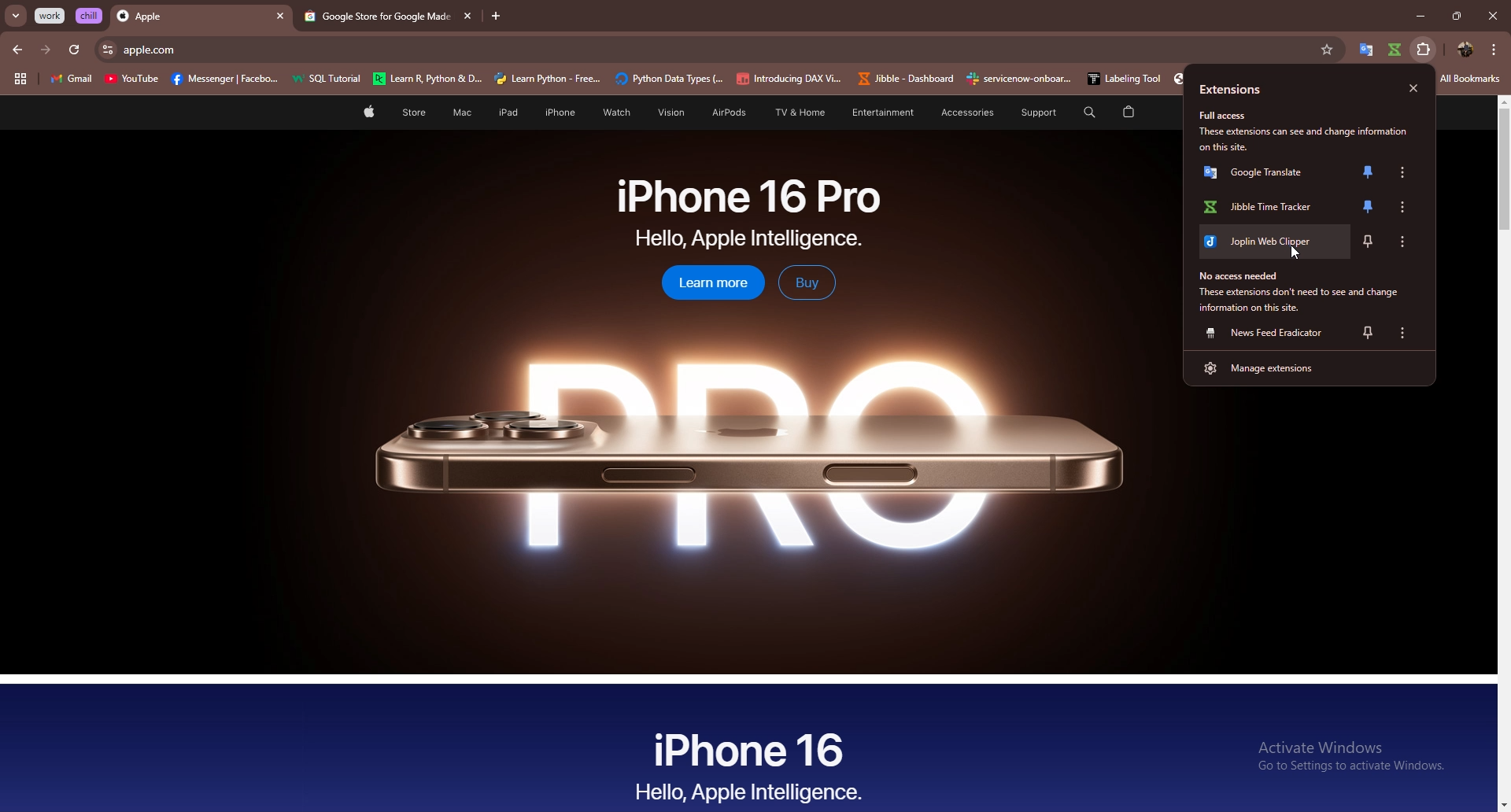  I want to click on Introducing DAX Vi.., so click(789, 79).